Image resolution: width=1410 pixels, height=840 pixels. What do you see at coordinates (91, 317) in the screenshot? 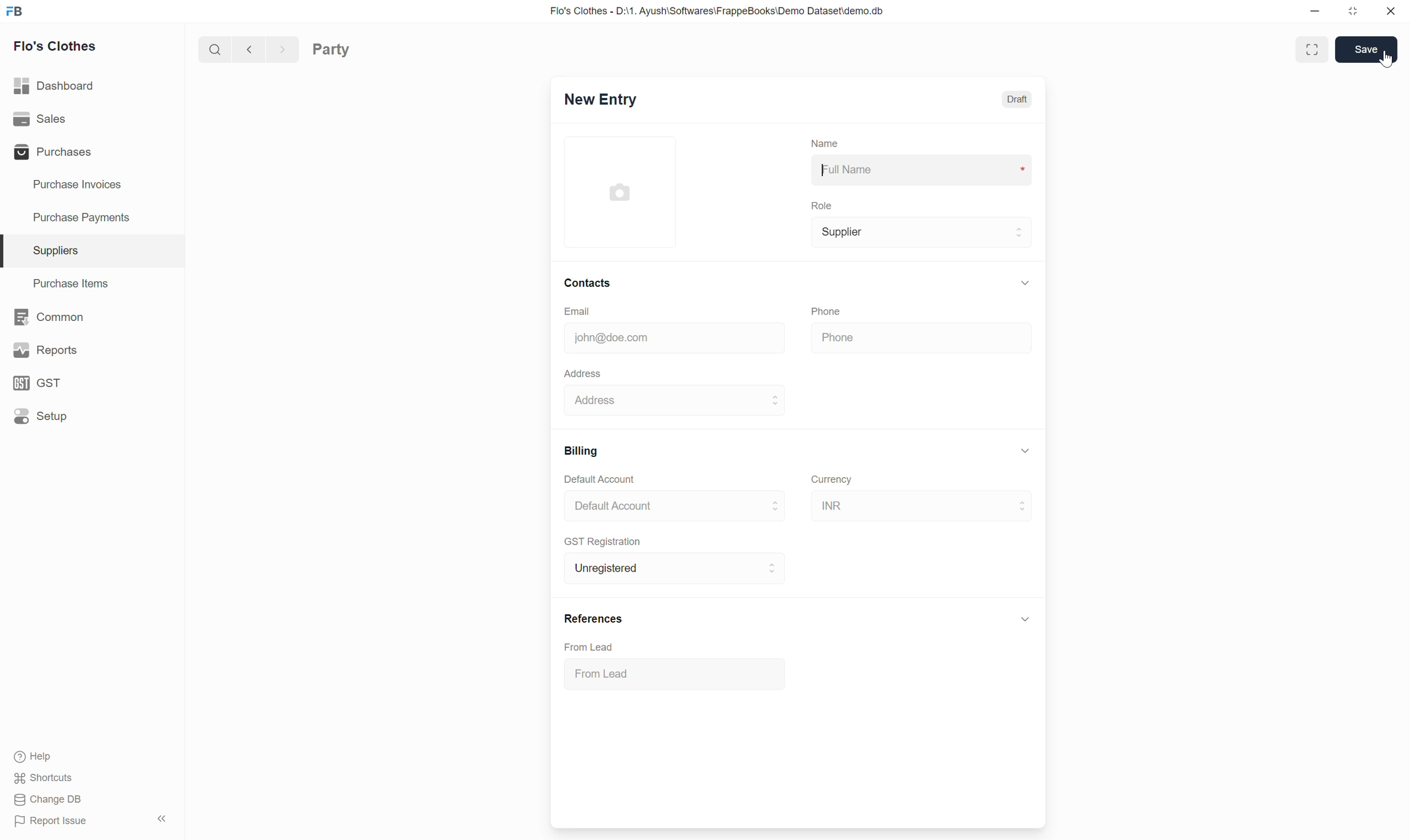
I see `Common` at bounding box center [91, 317].